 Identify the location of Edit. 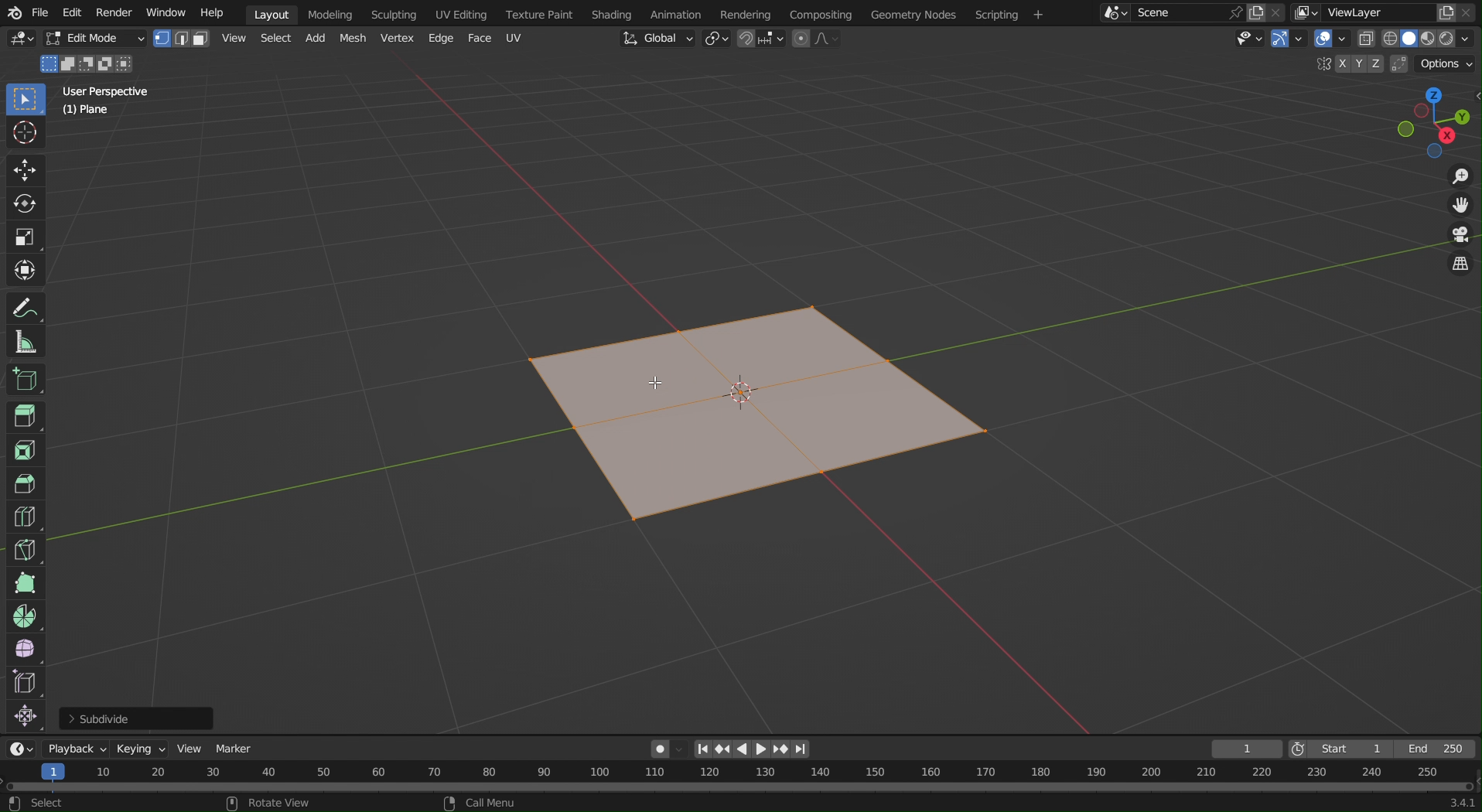
(72, 12).